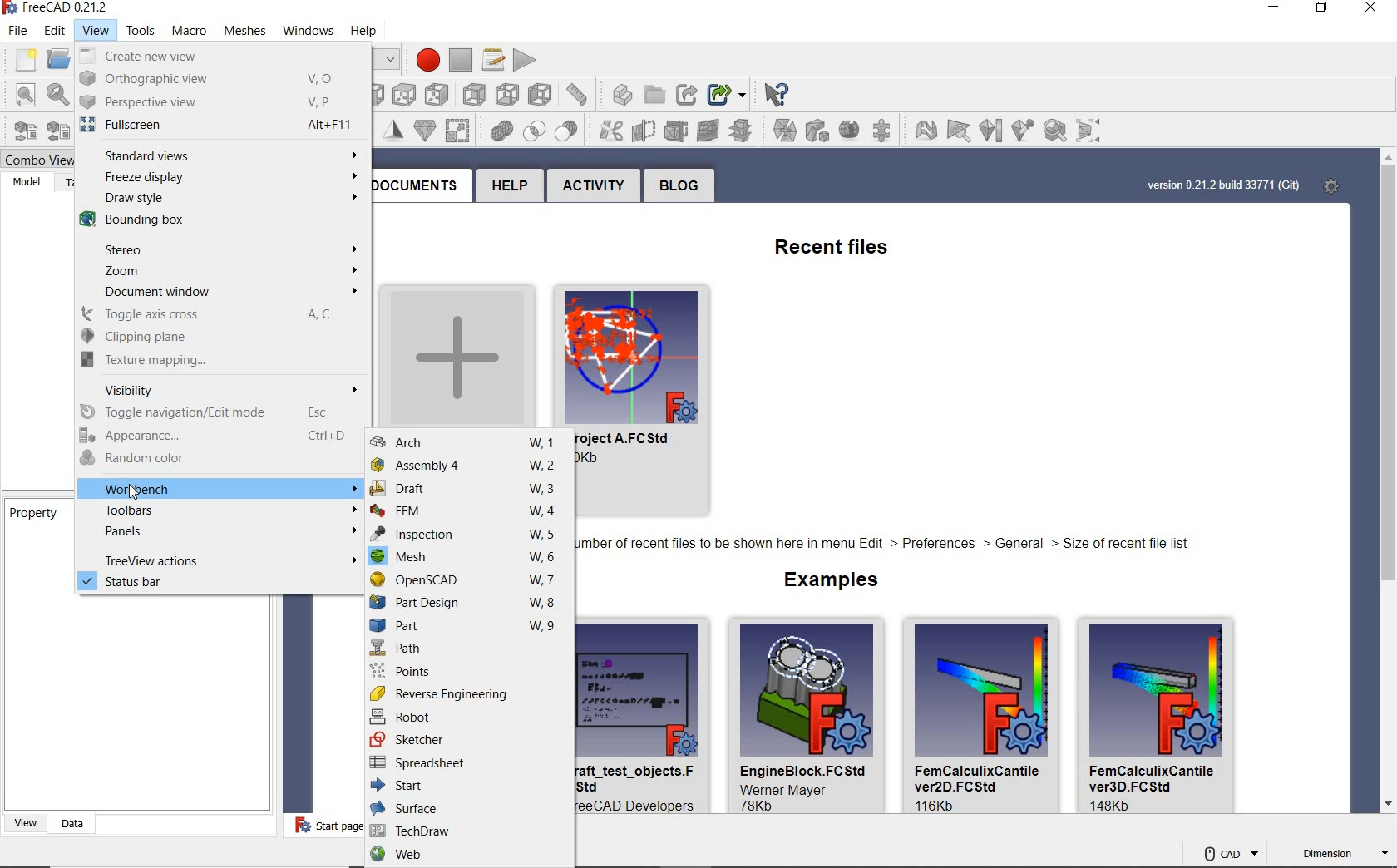 This screenshot has width=1397, height=868. Describe the element at coordinates (217, 200) in the screenshot. I see `draw style` at that location.